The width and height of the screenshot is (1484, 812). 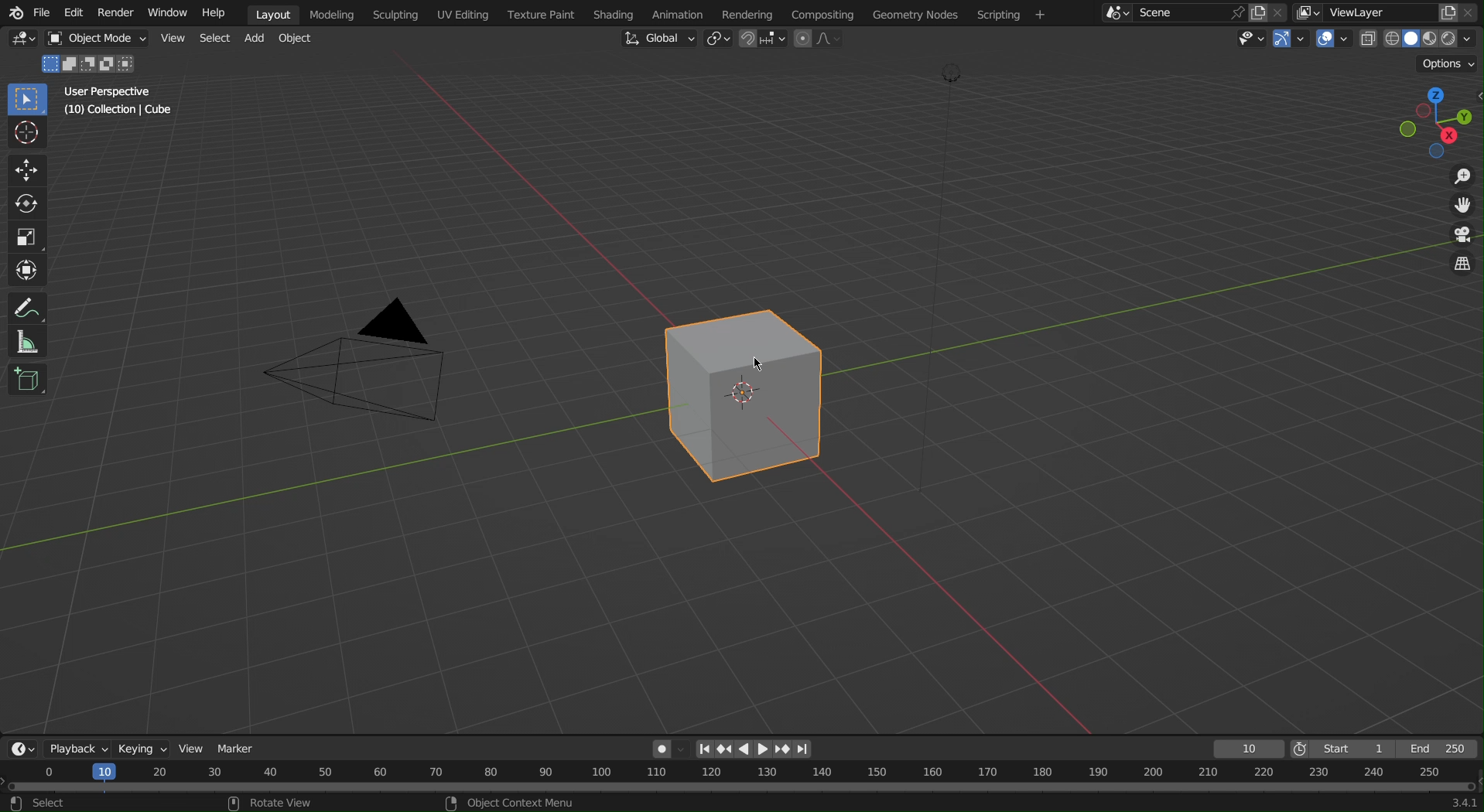 I want to click on Marker, so click(x=238, y=745).